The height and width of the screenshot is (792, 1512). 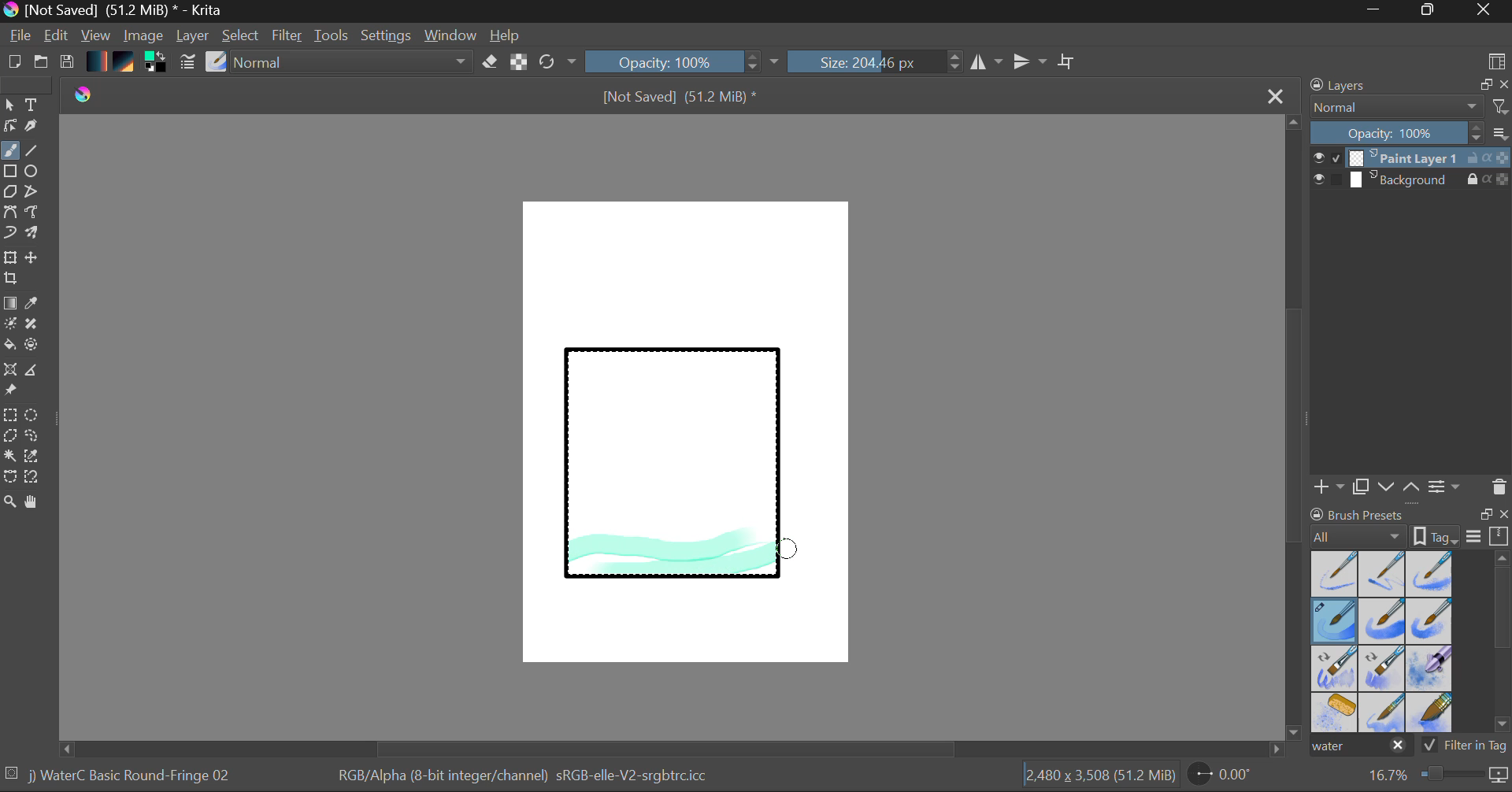 I want to click on Refresh, so click(x=558, y=61).